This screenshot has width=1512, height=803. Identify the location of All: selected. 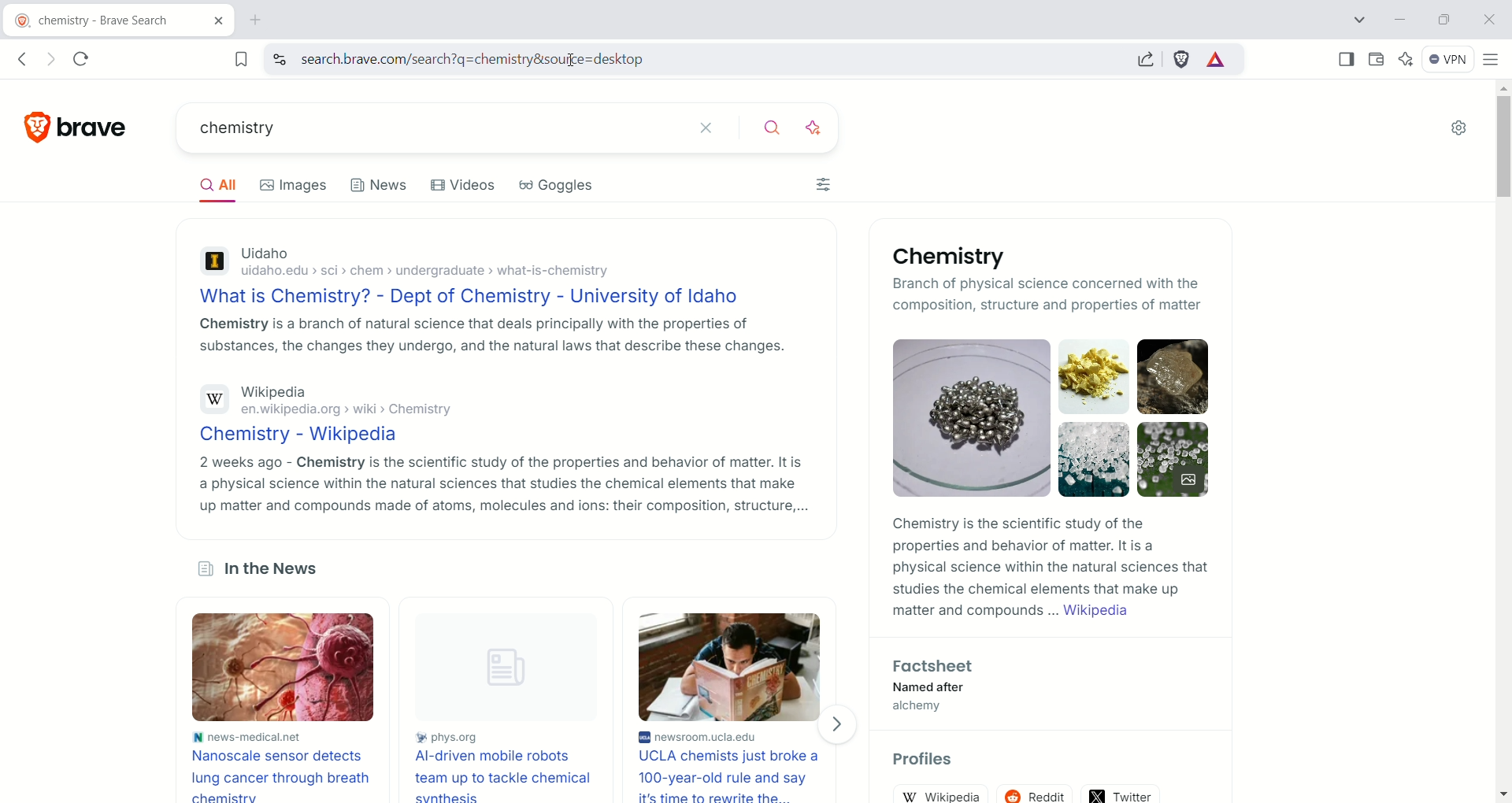
(215, 183).